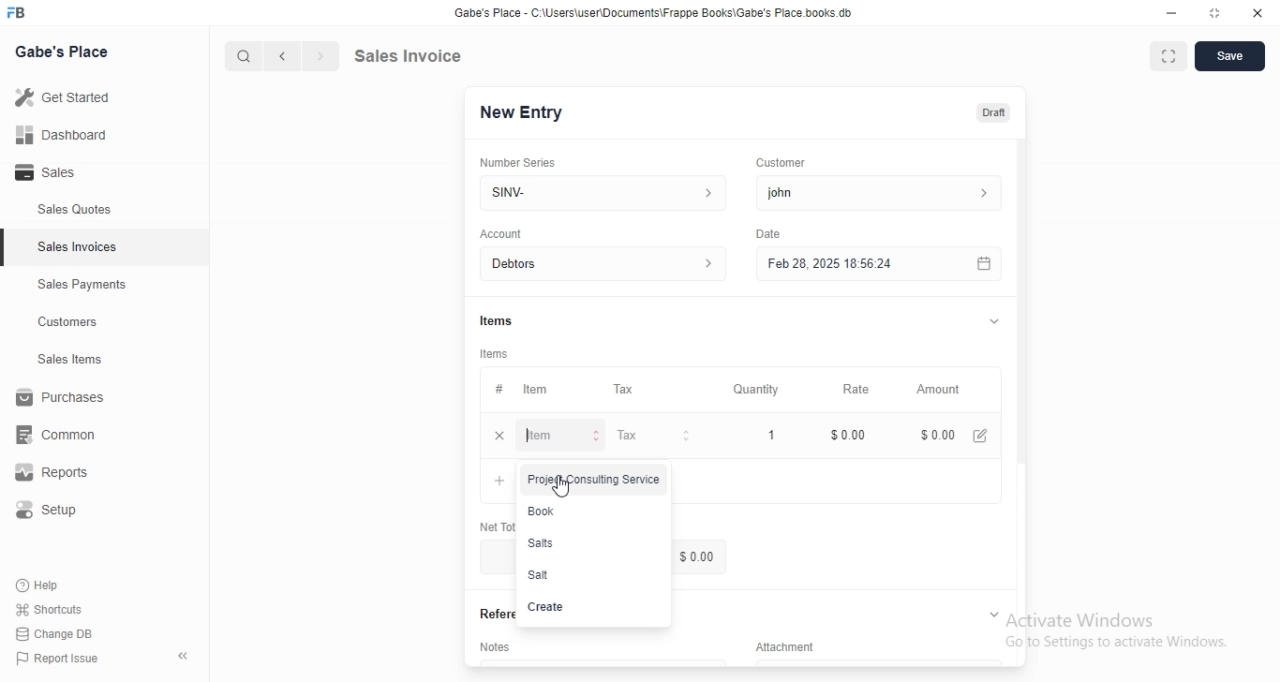 Image resolution: width=1280 pixels, height=682 pixels. Describe the element at coordinates (658, 16) in the screenshot. I see `Gabe's Place - C \Wsers\usenDocuments\Frappe Books\Gabe's Place books db` at that location.